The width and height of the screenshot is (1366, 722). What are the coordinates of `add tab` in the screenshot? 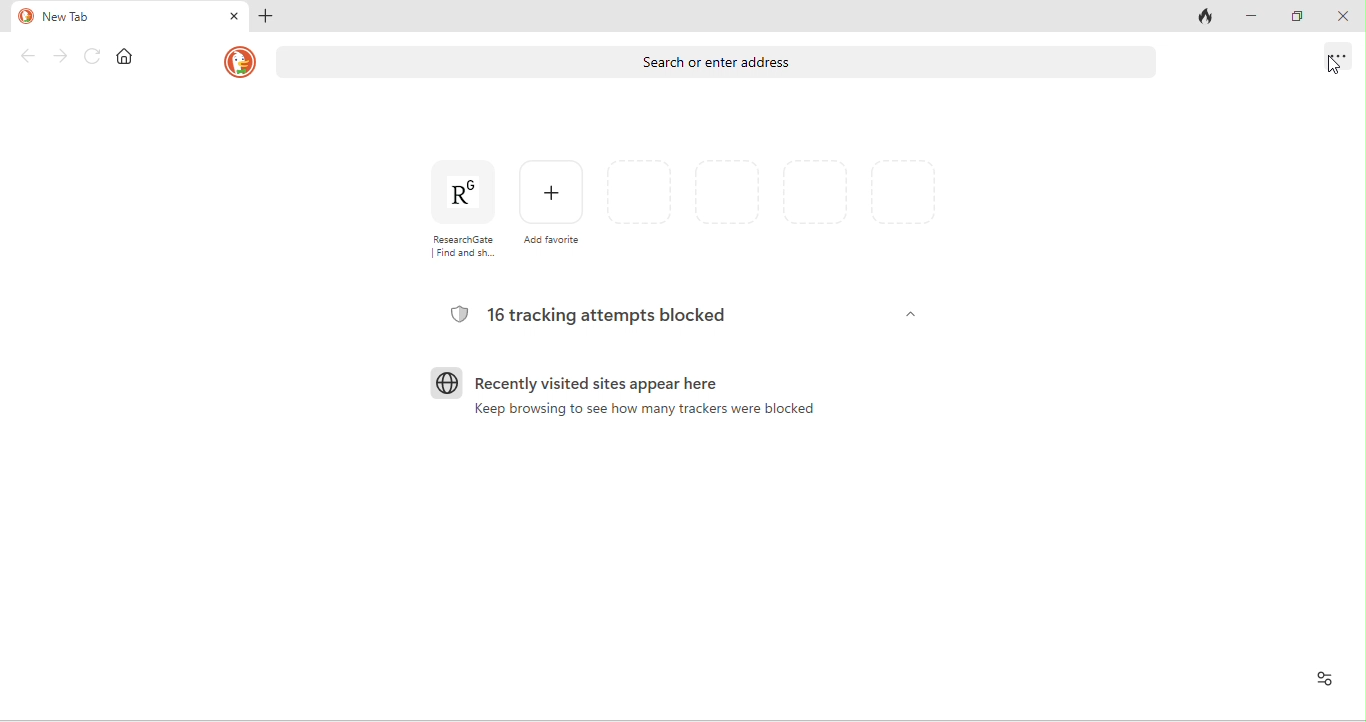 It's located at (269, 18).